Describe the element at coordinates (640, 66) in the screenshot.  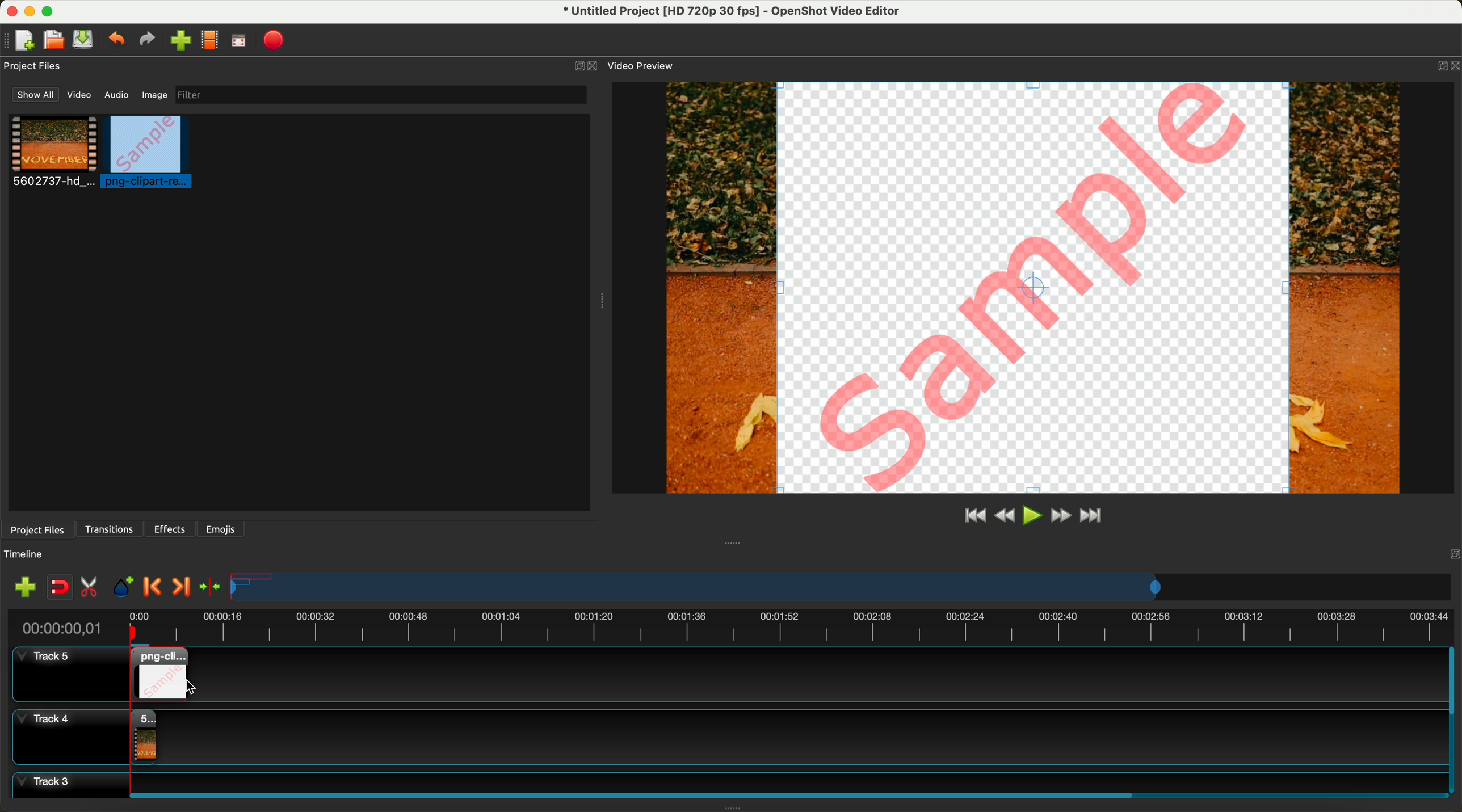
I see `video preview` at that location.